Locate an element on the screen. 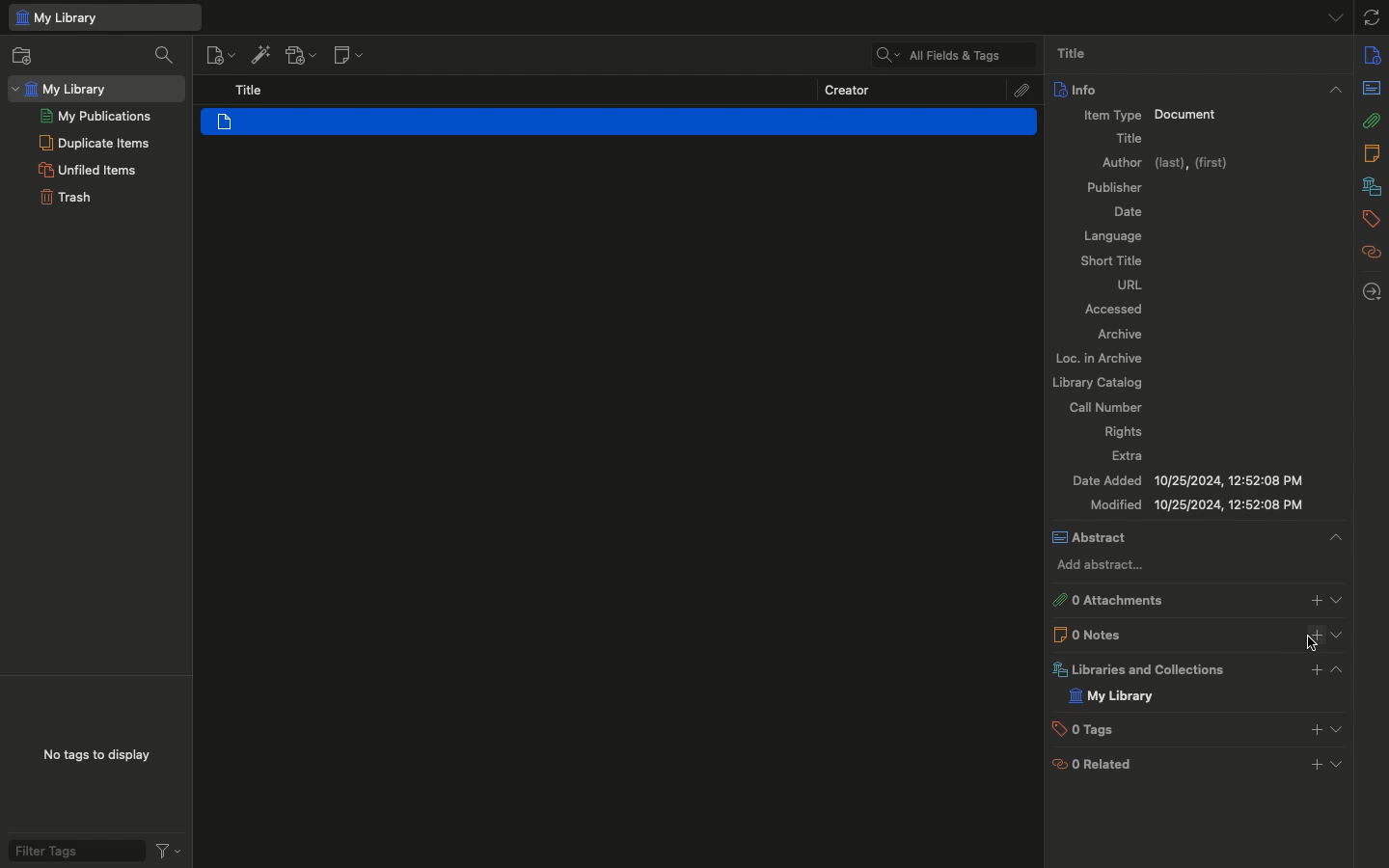  Locate is located at coordinates (1375, 293).